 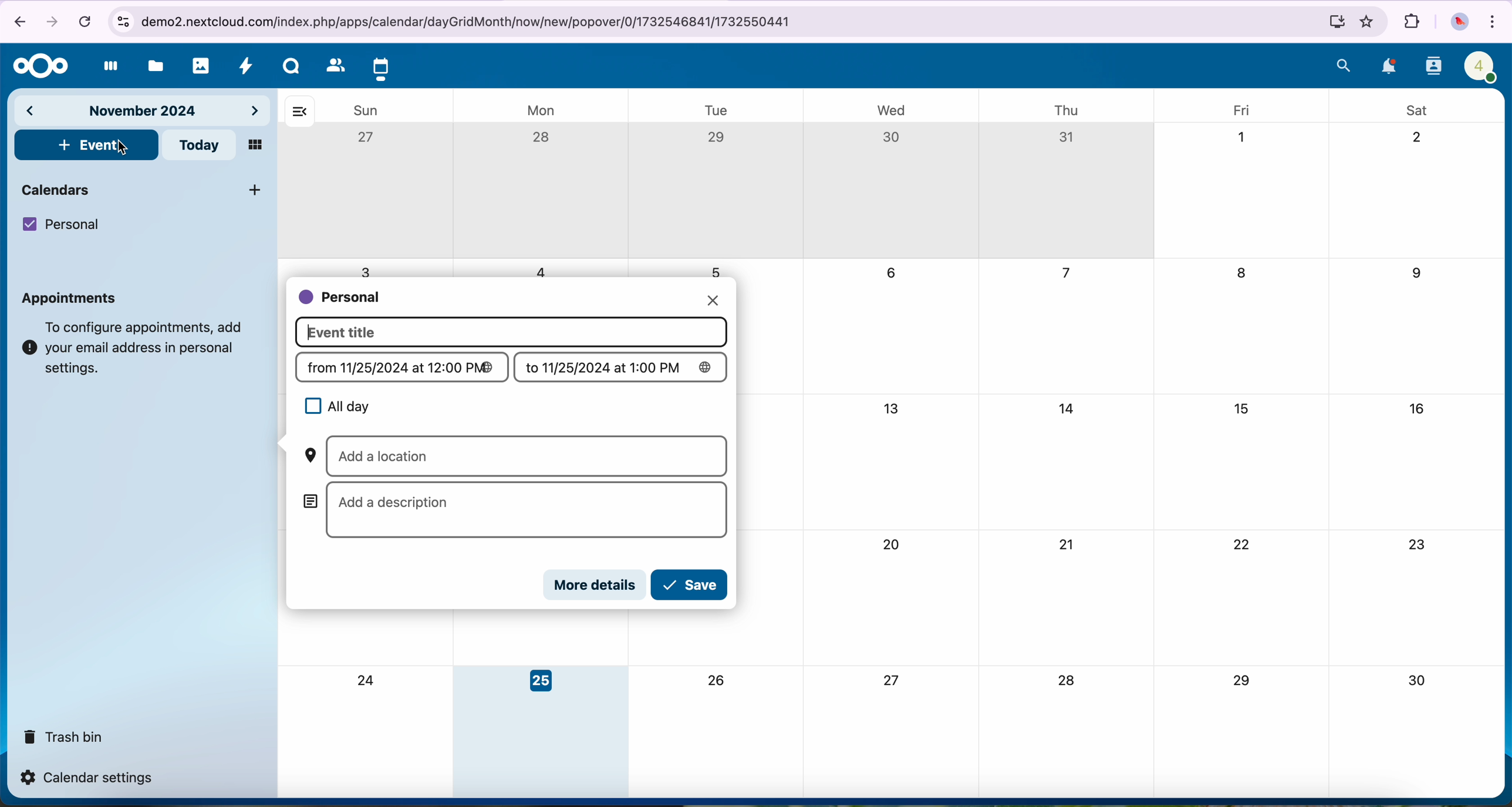 I want to click on event title, so click(x=512, y=332).